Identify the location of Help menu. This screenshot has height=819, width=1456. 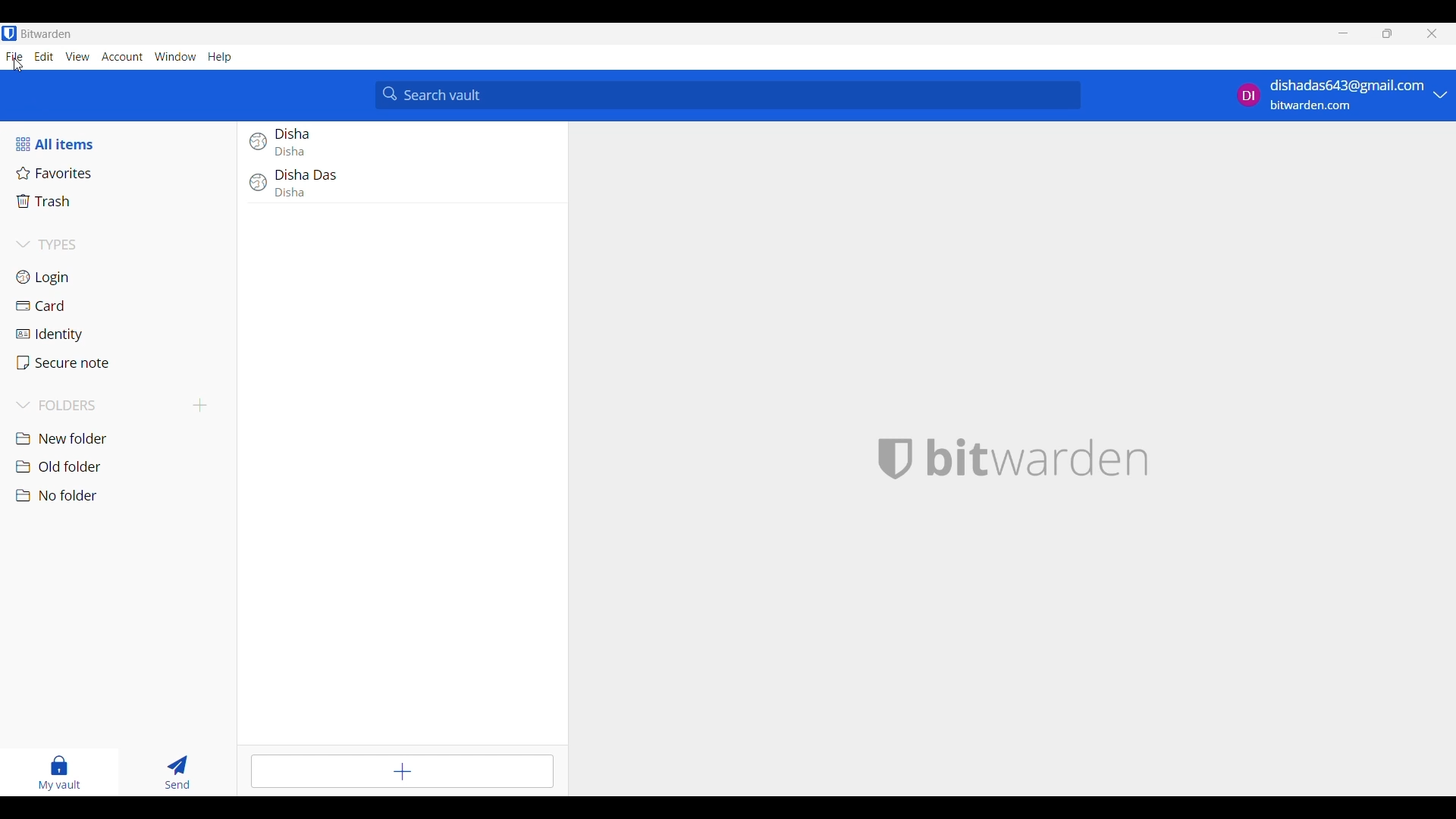
(221, 58).